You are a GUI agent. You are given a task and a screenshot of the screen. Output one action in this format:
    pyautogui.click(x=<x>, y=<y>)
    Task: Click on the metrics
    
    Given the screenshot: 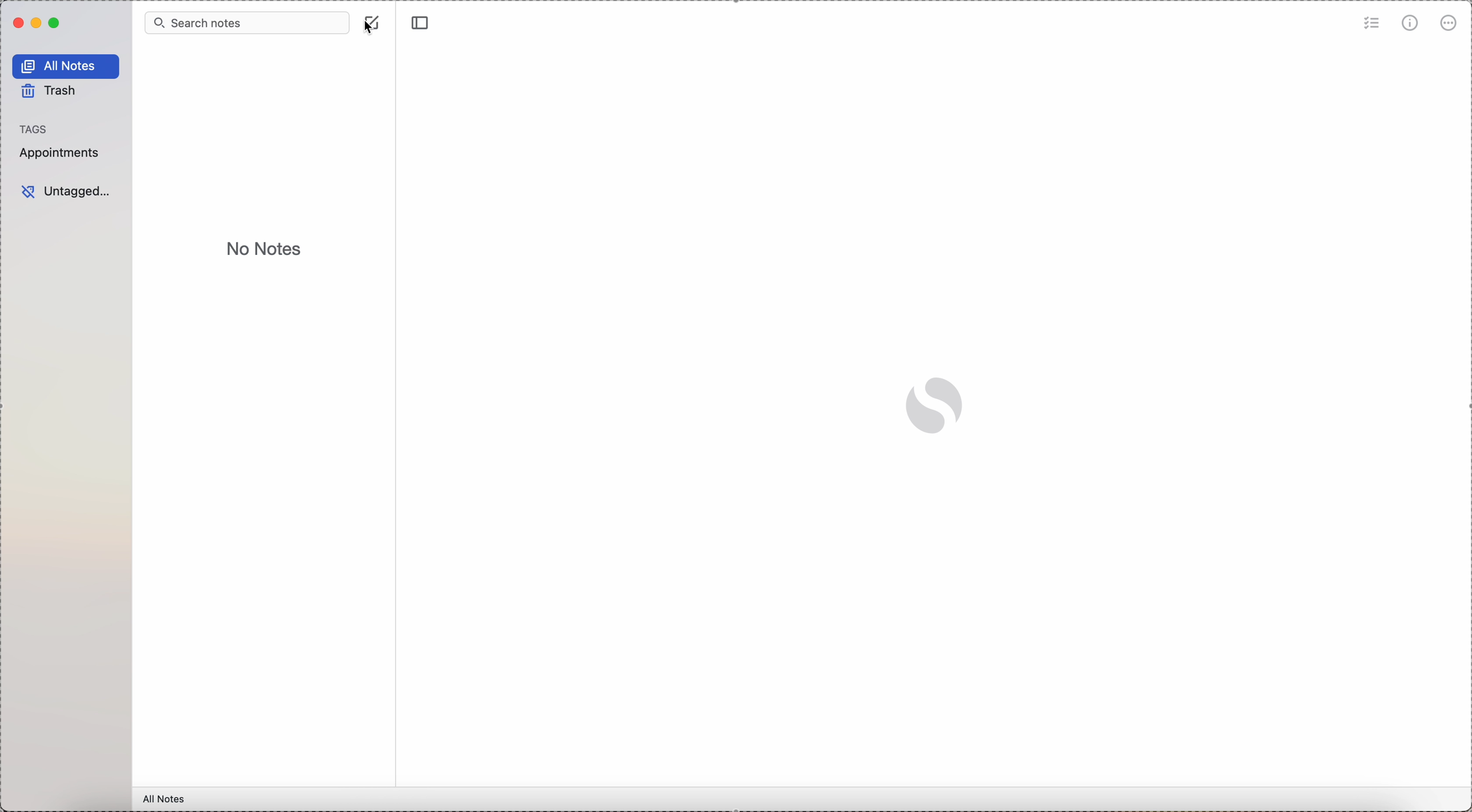 What is the action you would take?
    pyautogui.click(x=1410, y=23)
    